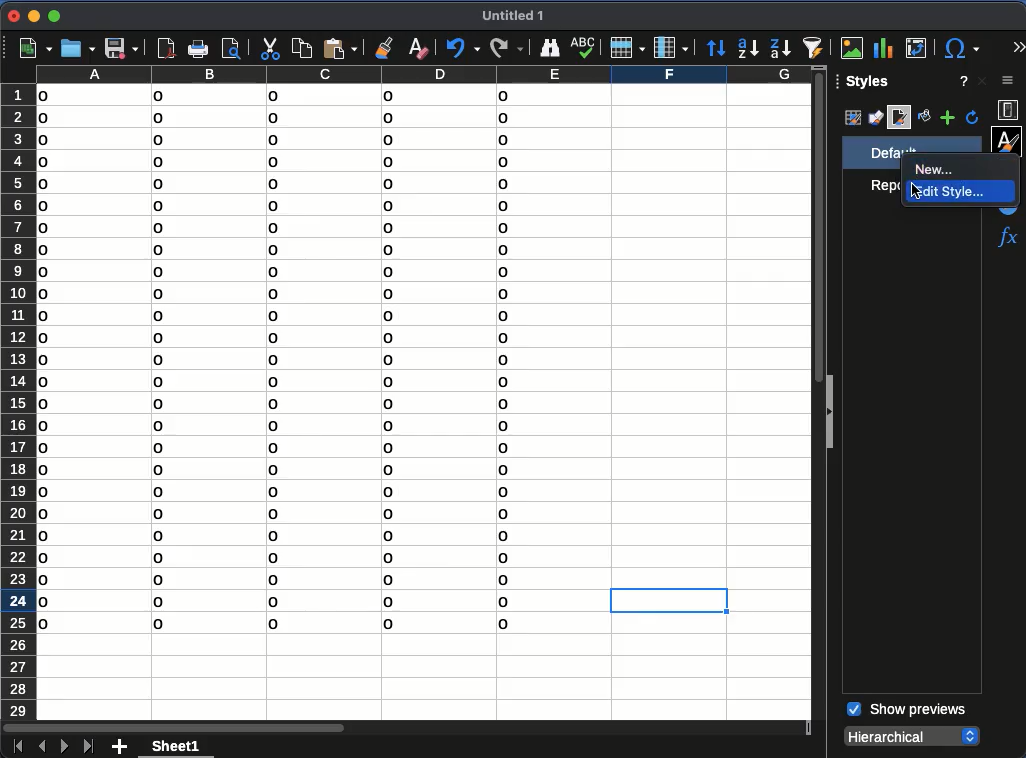  I want to click on navigator, so click(1007, 212).